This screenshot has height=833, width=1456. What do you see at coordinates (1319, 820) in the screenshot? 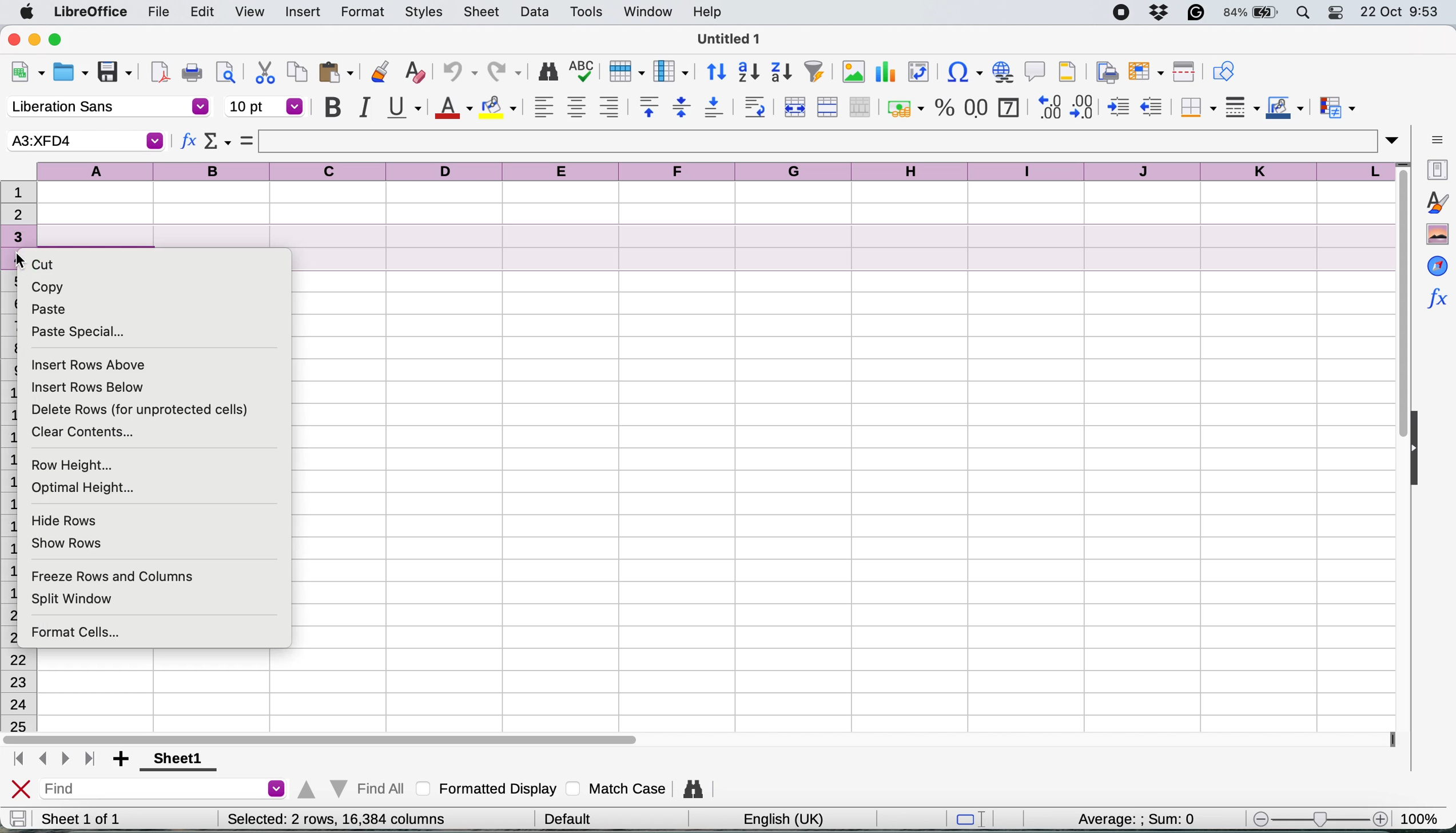
I see `zoom scale` at bounding box center [1319, 820].